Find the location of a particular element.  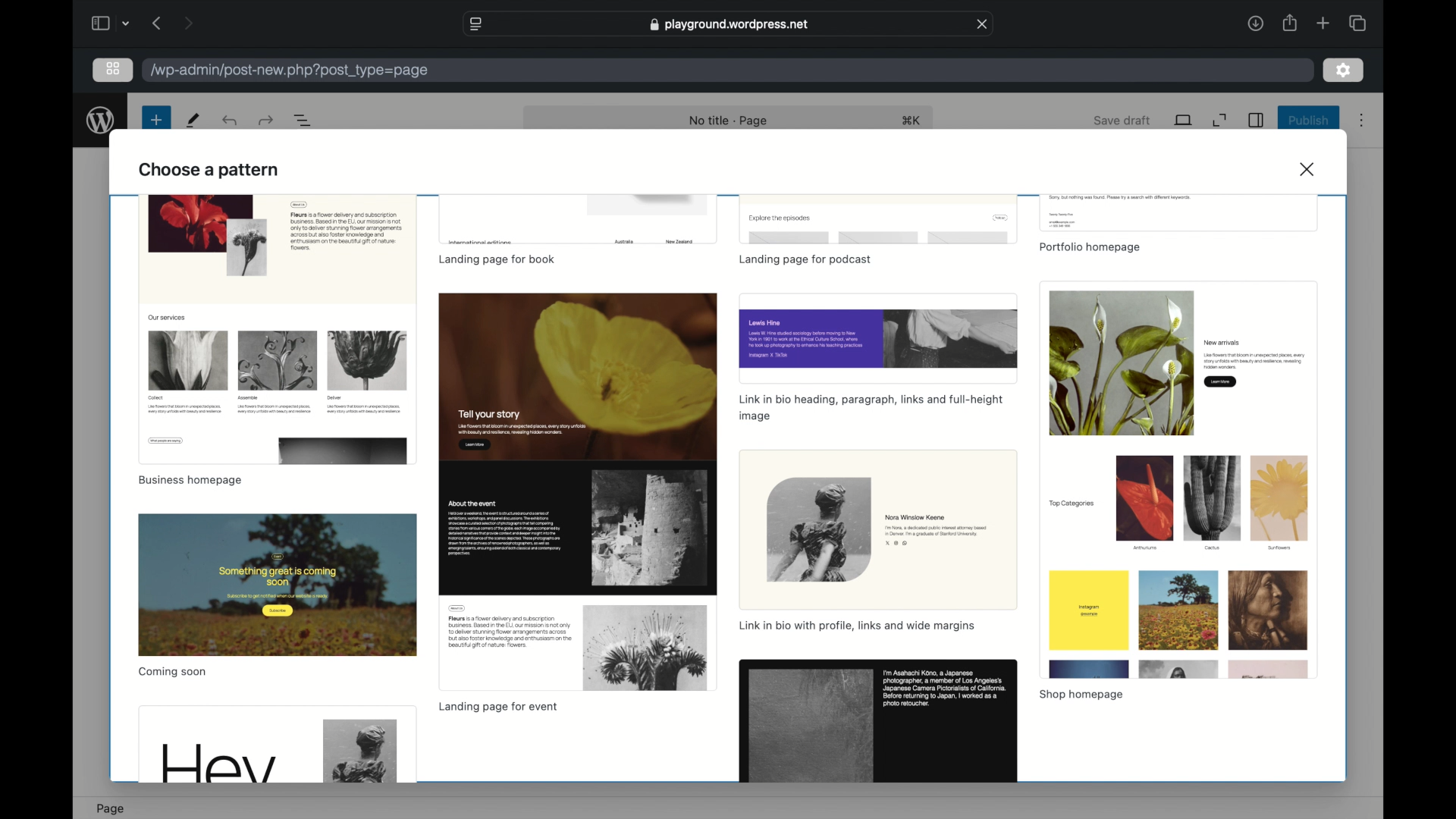

choose a pattern is located at coordinates (209, 170).